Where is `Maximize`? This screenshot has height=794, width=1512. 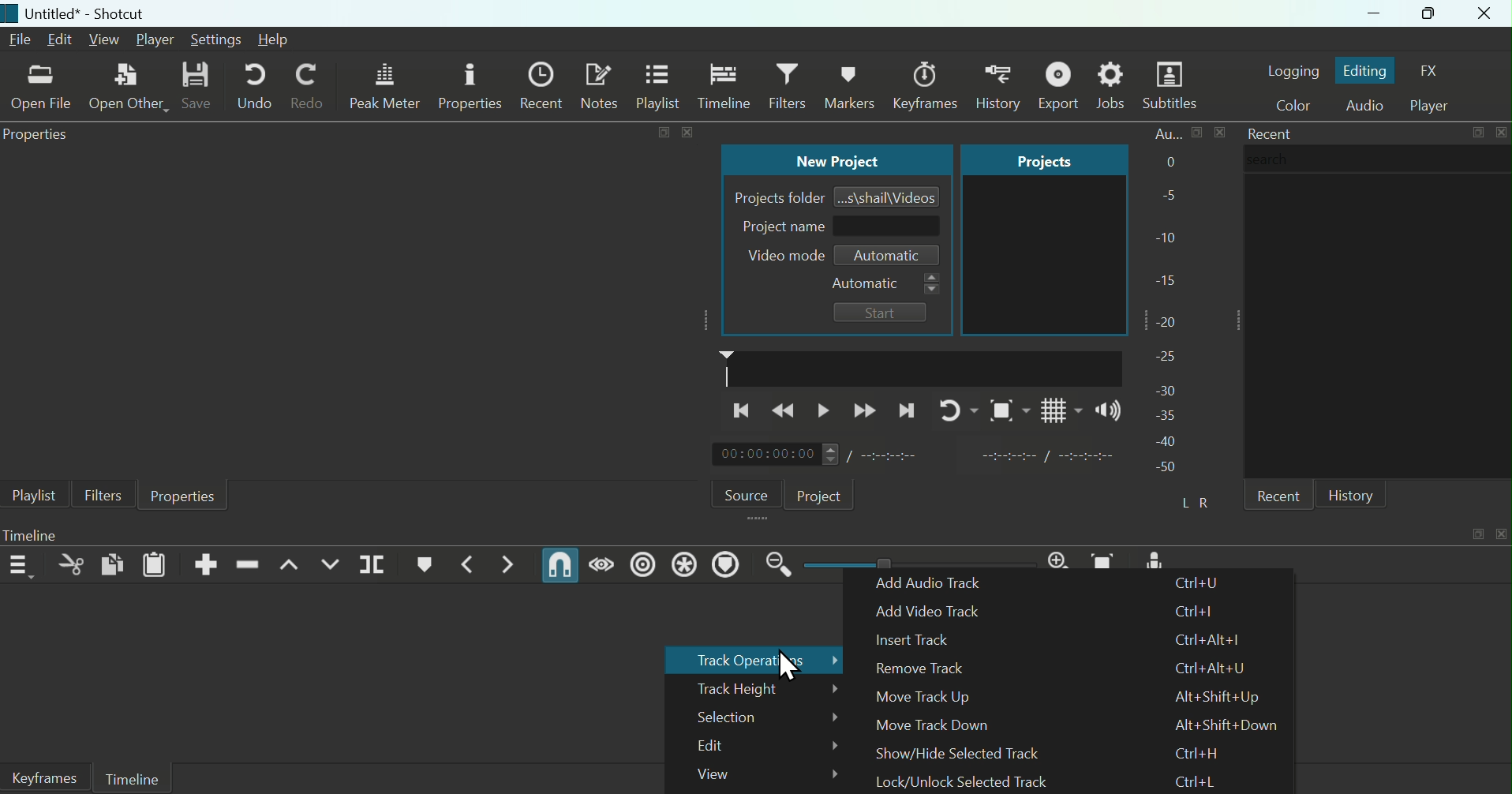
Maximize is located at coordinates (1426, 13).